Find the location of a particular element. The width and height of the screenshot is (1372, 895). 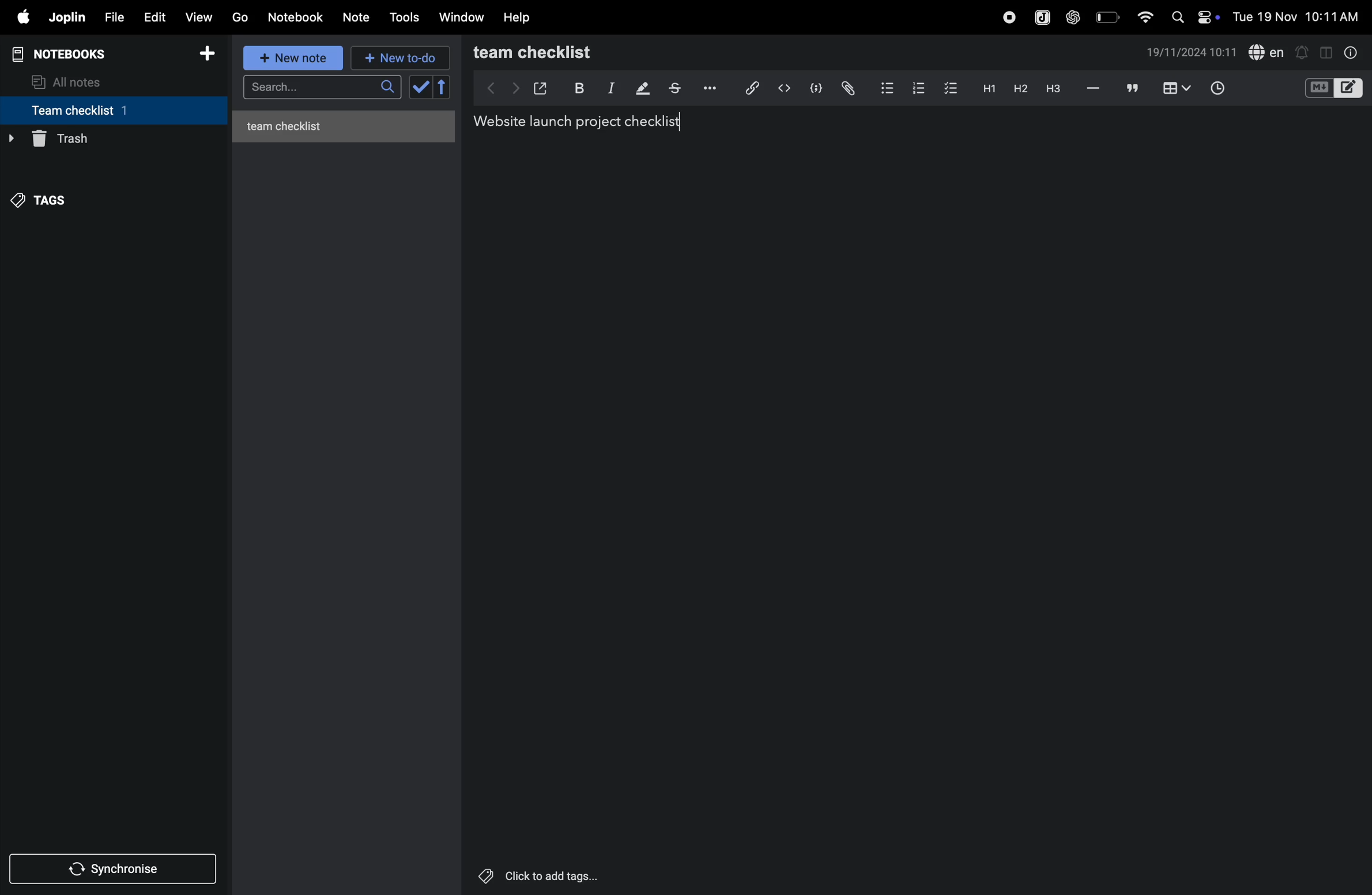

backward is located at coordinates (485, 88).